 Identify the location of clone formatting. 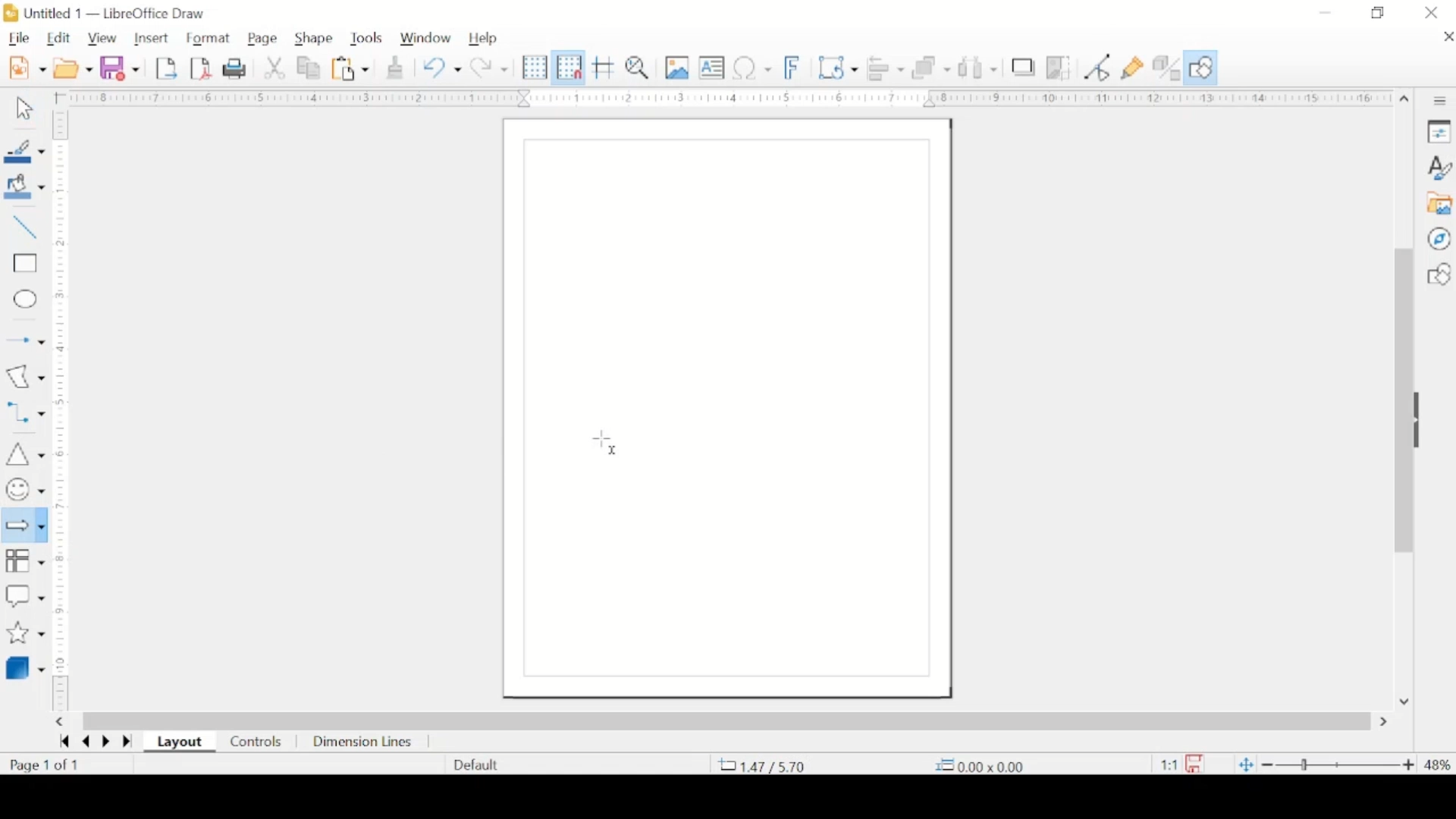
(395, 67).